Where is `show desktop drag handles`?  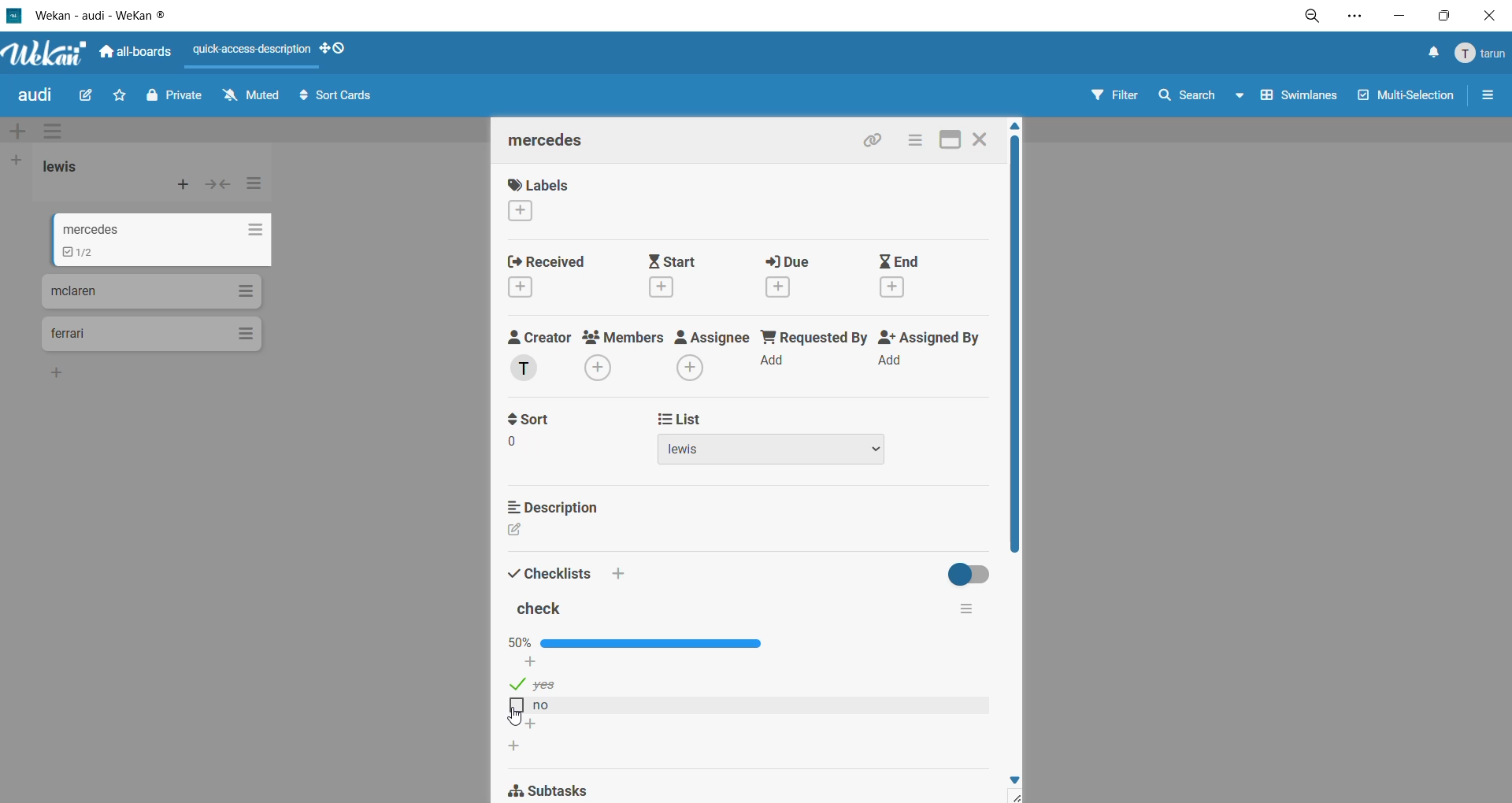
show desktop drag handles is located at coordinates (339, 50).